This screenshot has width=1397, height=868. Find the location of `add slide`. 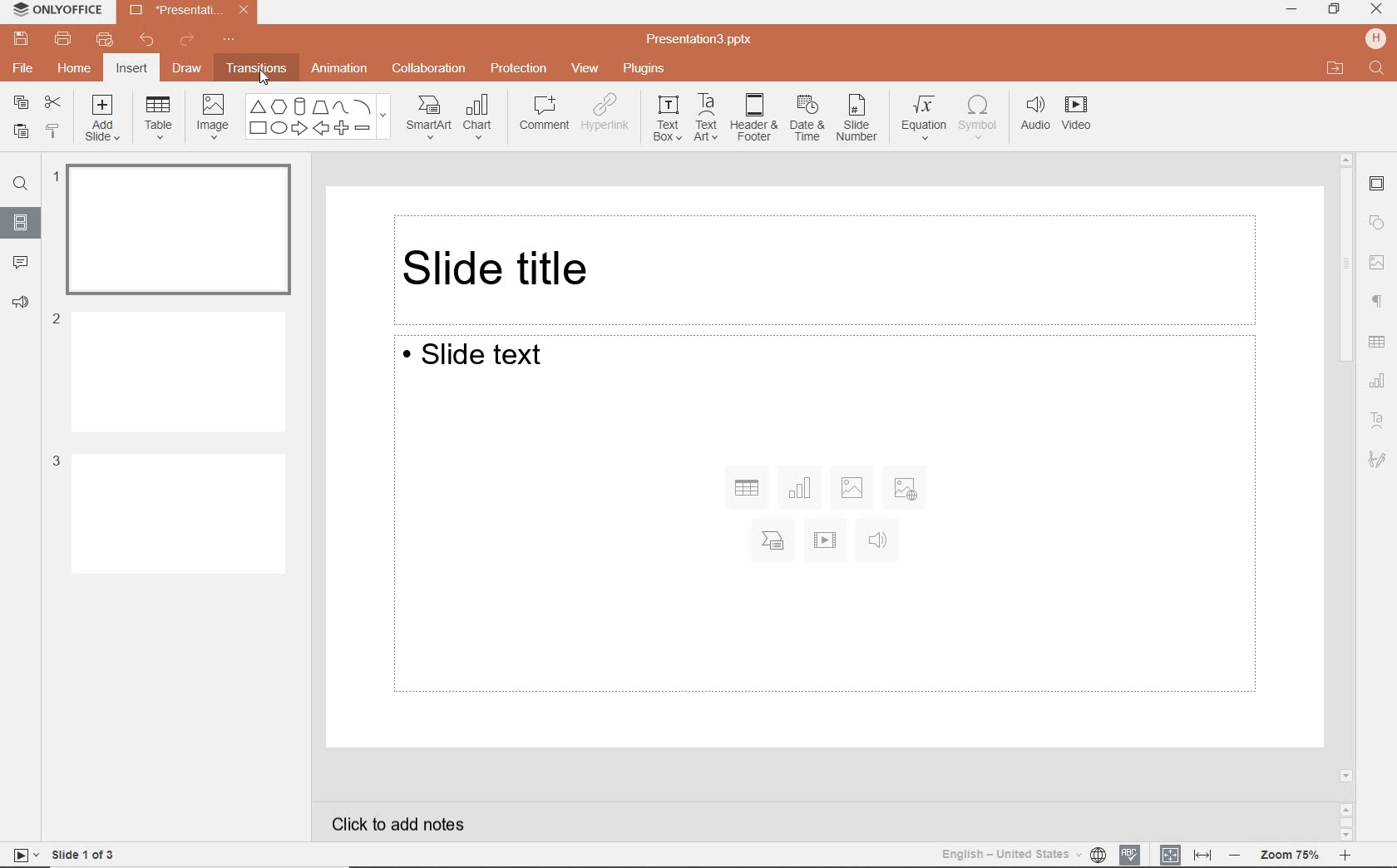

add slide is located at coordinates (101, 121).